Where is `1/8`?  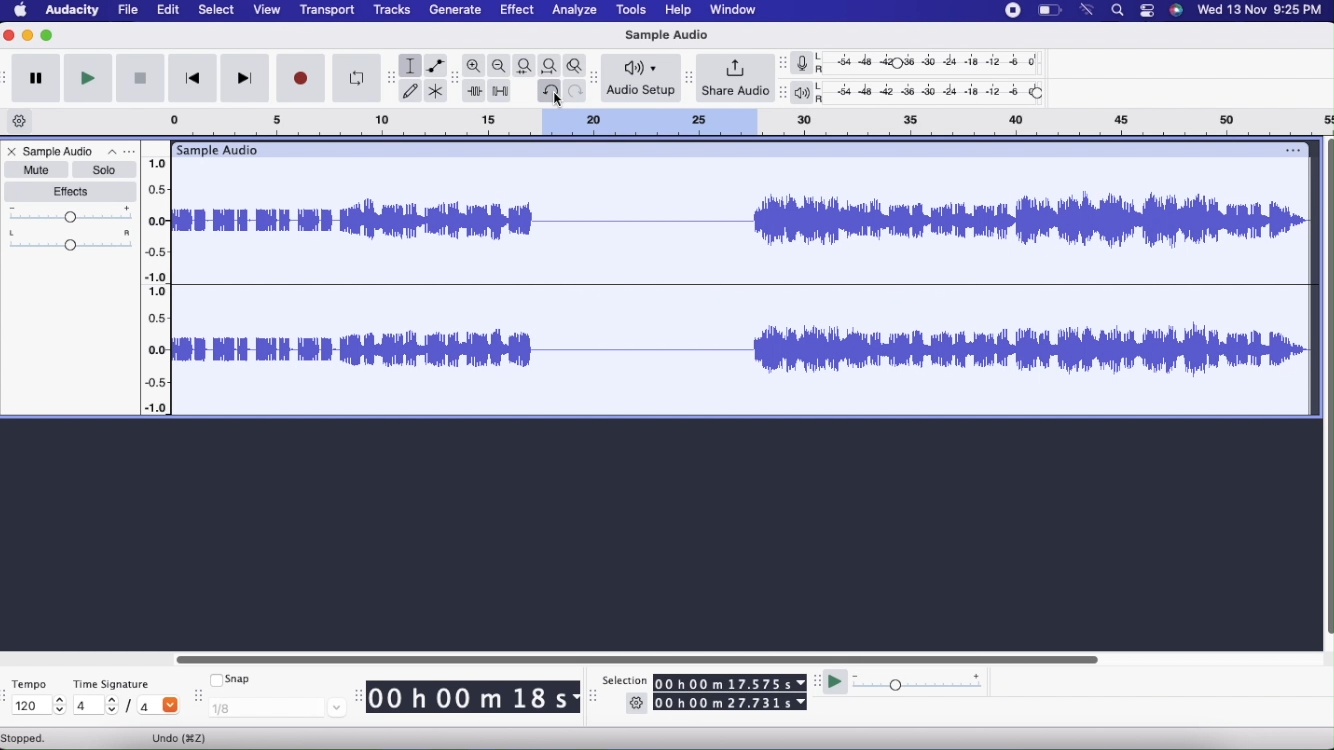
1/8 is located at coordinates (277, 710).